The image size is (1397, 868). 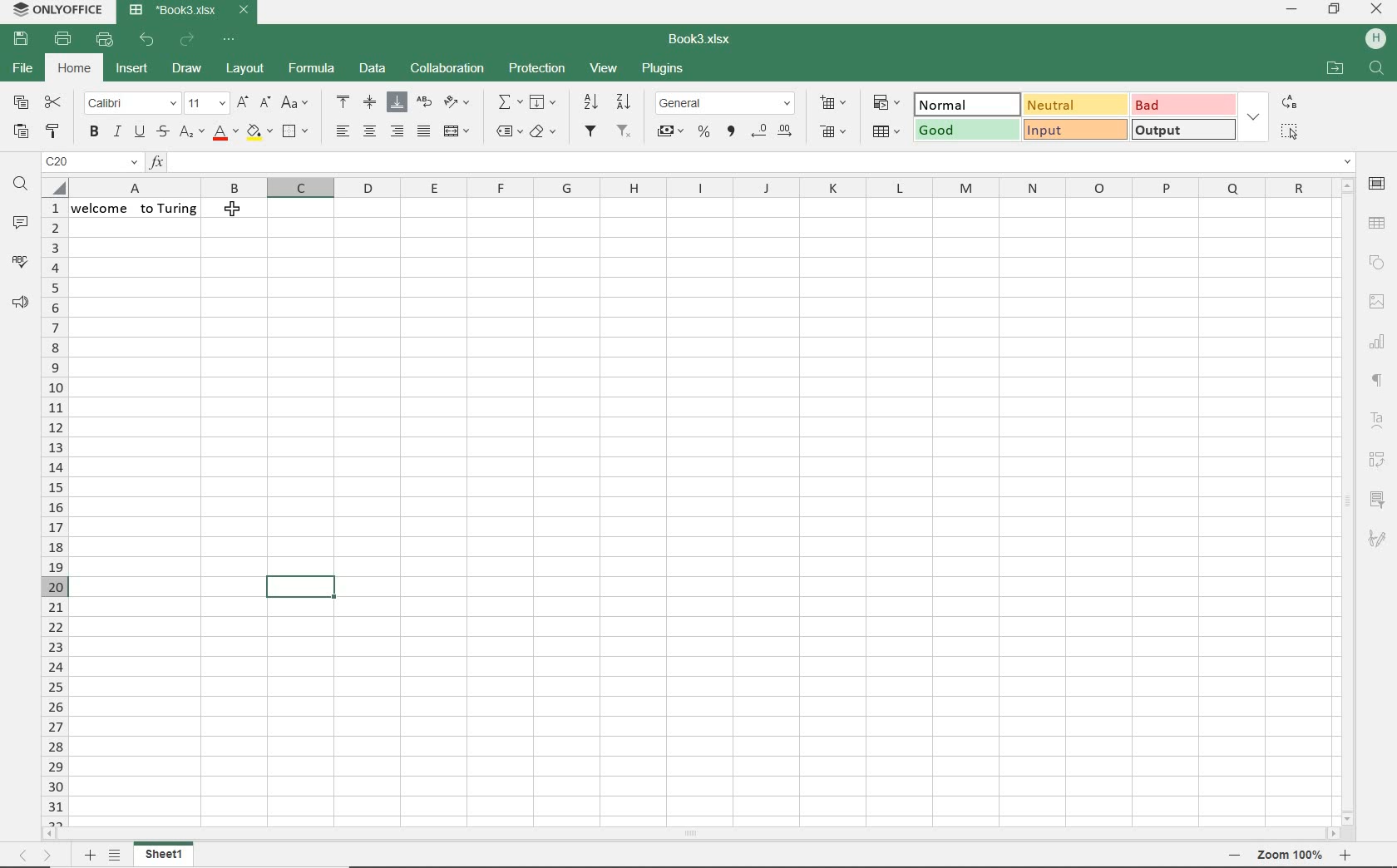 What do you see at coordinates (117, 132) in the screenshot?
I see `italic` at bounding box center [117, 132].